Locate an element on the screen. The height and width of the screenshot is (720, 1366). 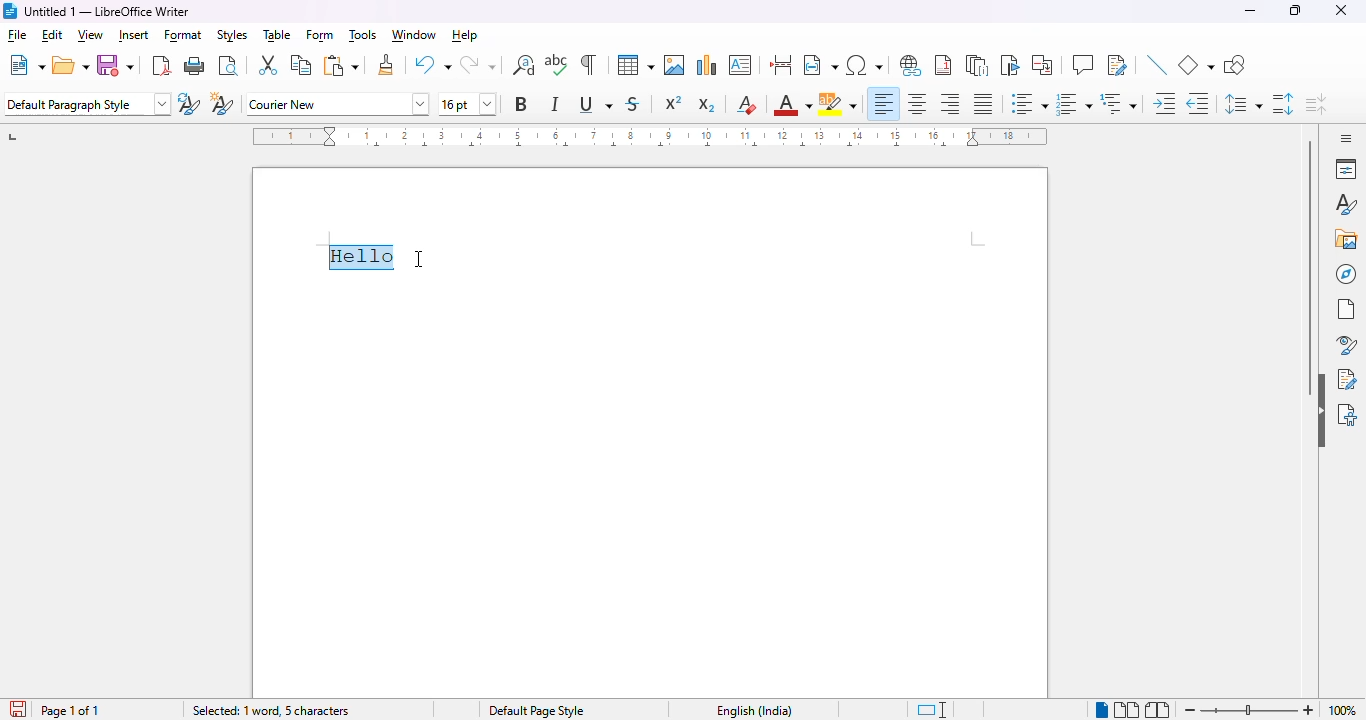
insert hyperlink is located at coordinates (912, 65).